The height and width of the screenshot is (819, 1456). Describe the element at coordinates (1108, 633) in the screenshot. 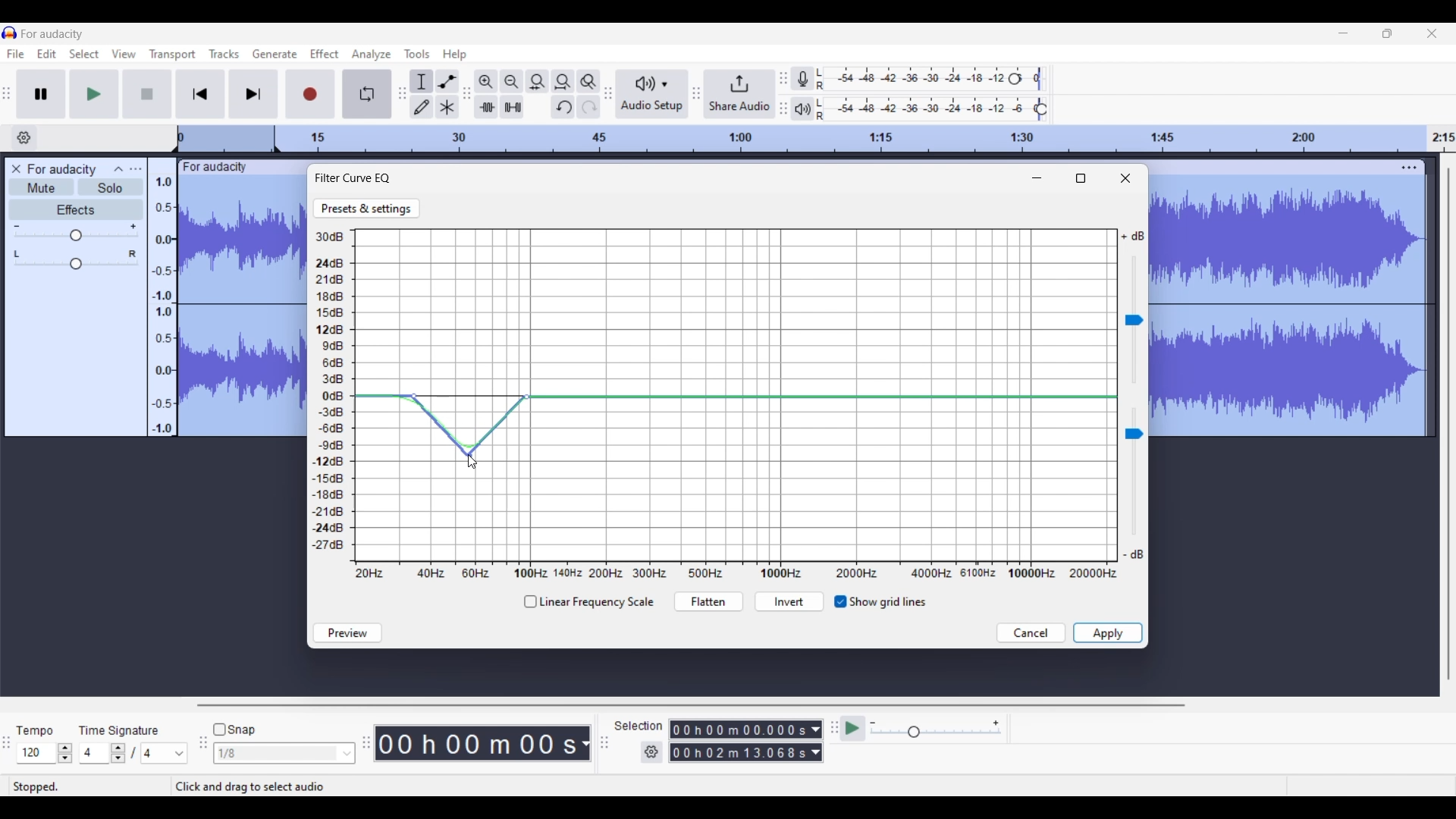

I see `Save inputs made` at that location.